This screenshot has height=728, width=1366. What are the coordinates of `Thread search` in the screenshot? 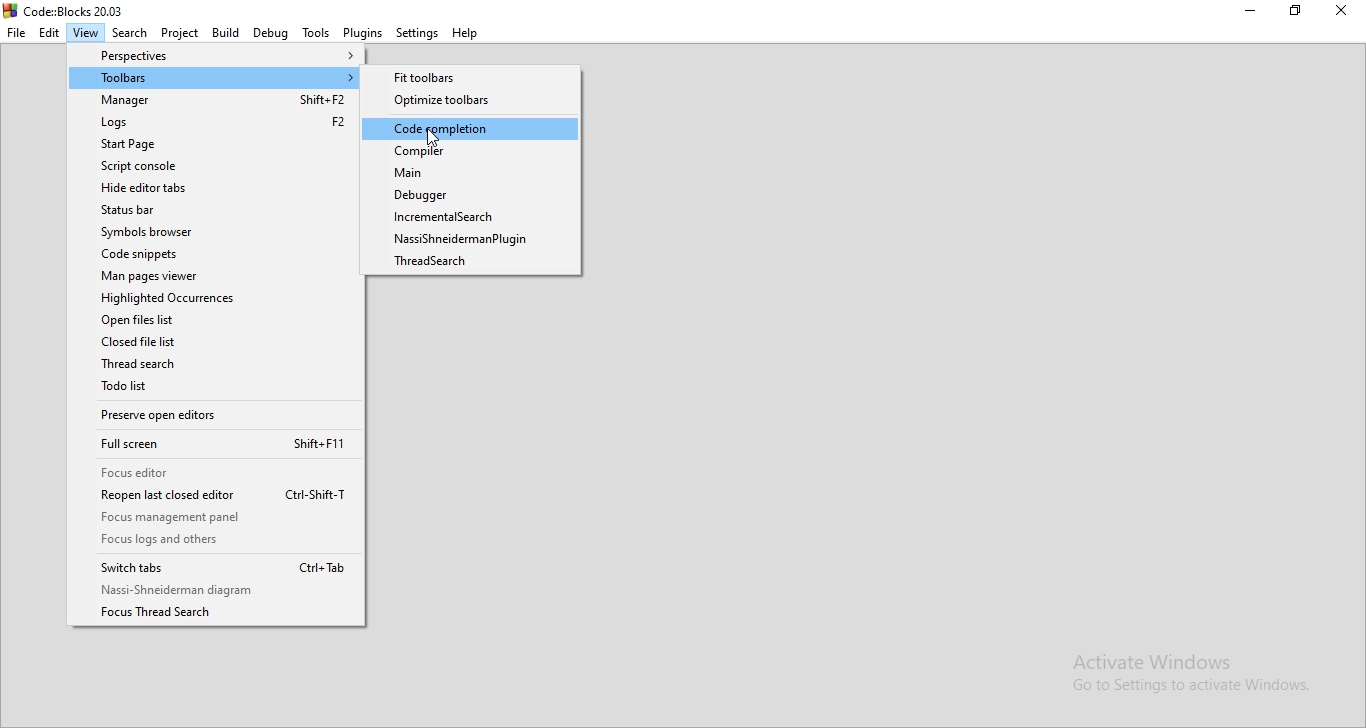 It's located at (476, 264).